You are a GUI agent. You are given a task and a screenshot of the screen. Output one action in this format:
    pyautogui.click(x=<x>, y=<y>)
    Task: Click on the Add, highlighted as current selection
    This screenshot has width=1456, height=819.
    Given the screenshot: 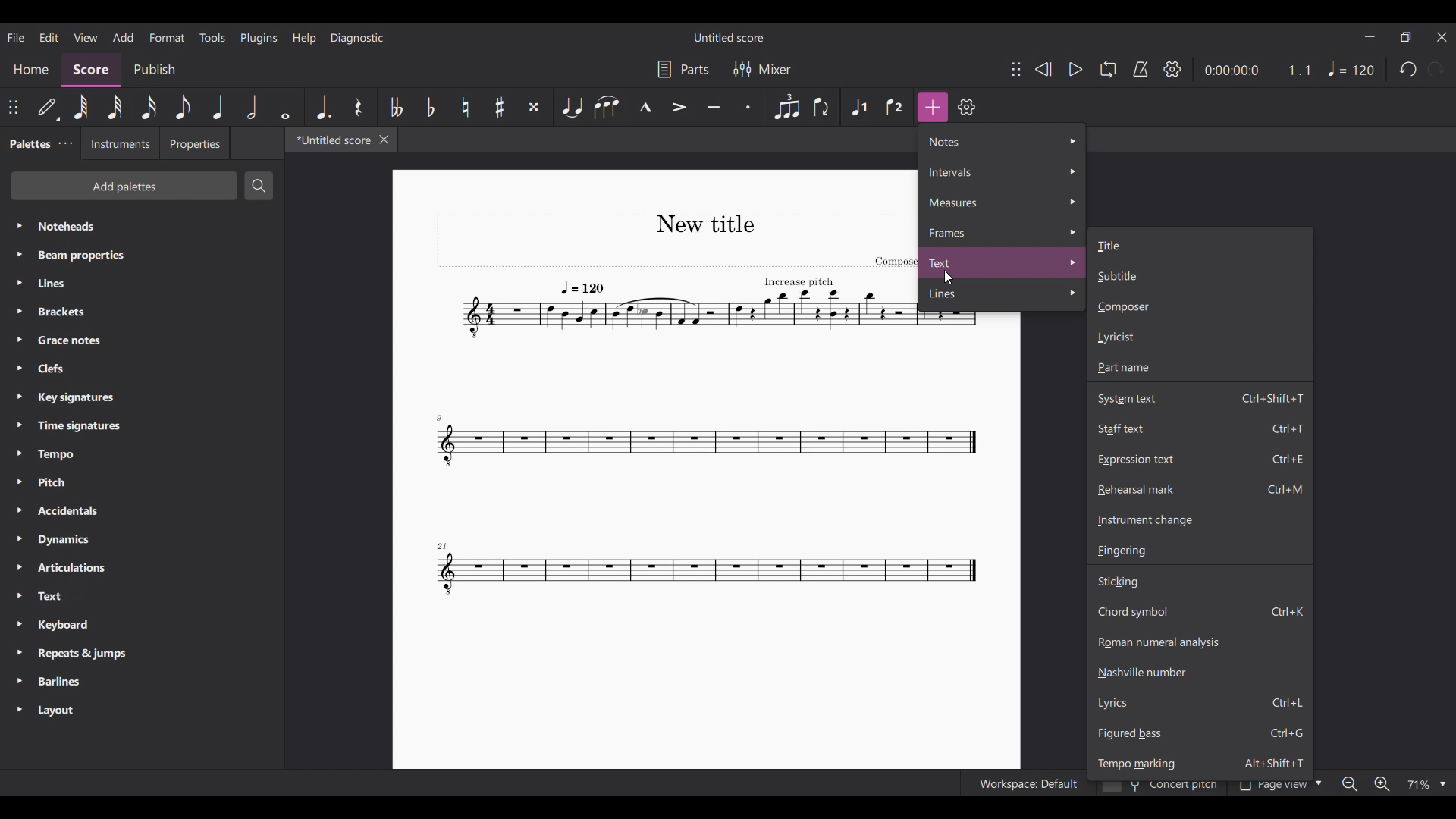 What is the action you would take?
    pyautogui.click(x=933, y=107)
    